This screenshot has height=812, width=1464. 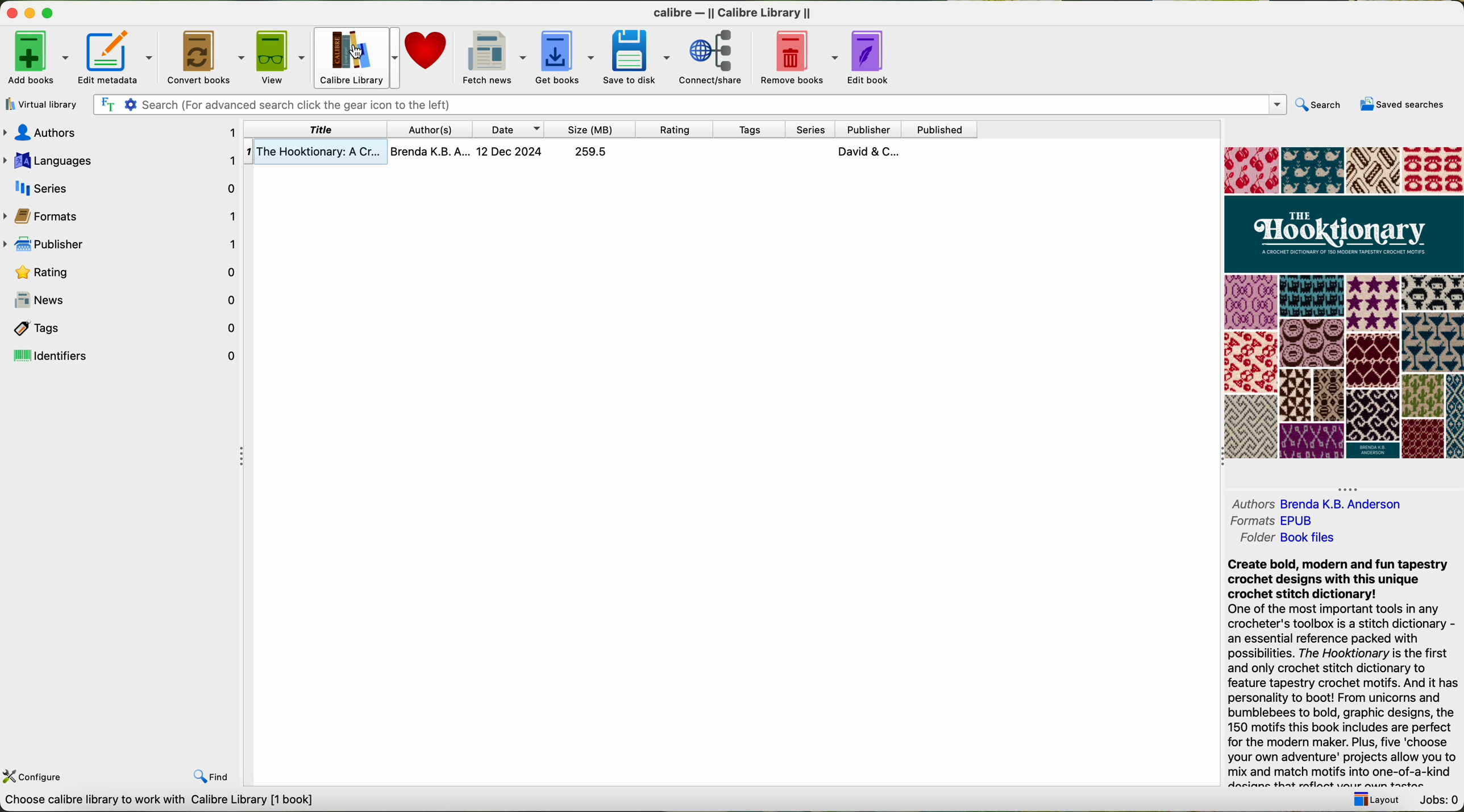 I want to click on virtual library, so click(x=40, y=105).